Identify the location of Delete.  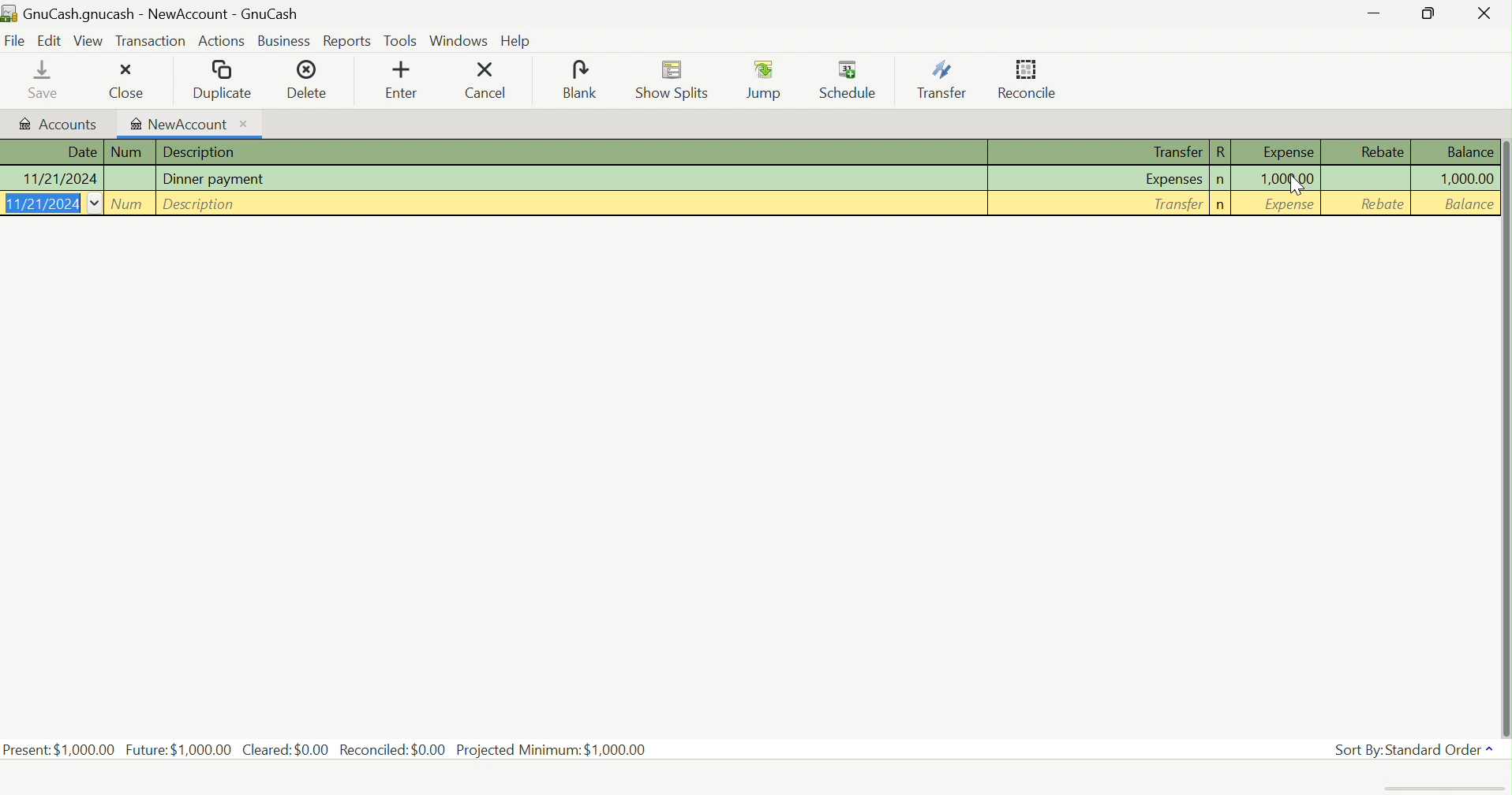
(314, 78).